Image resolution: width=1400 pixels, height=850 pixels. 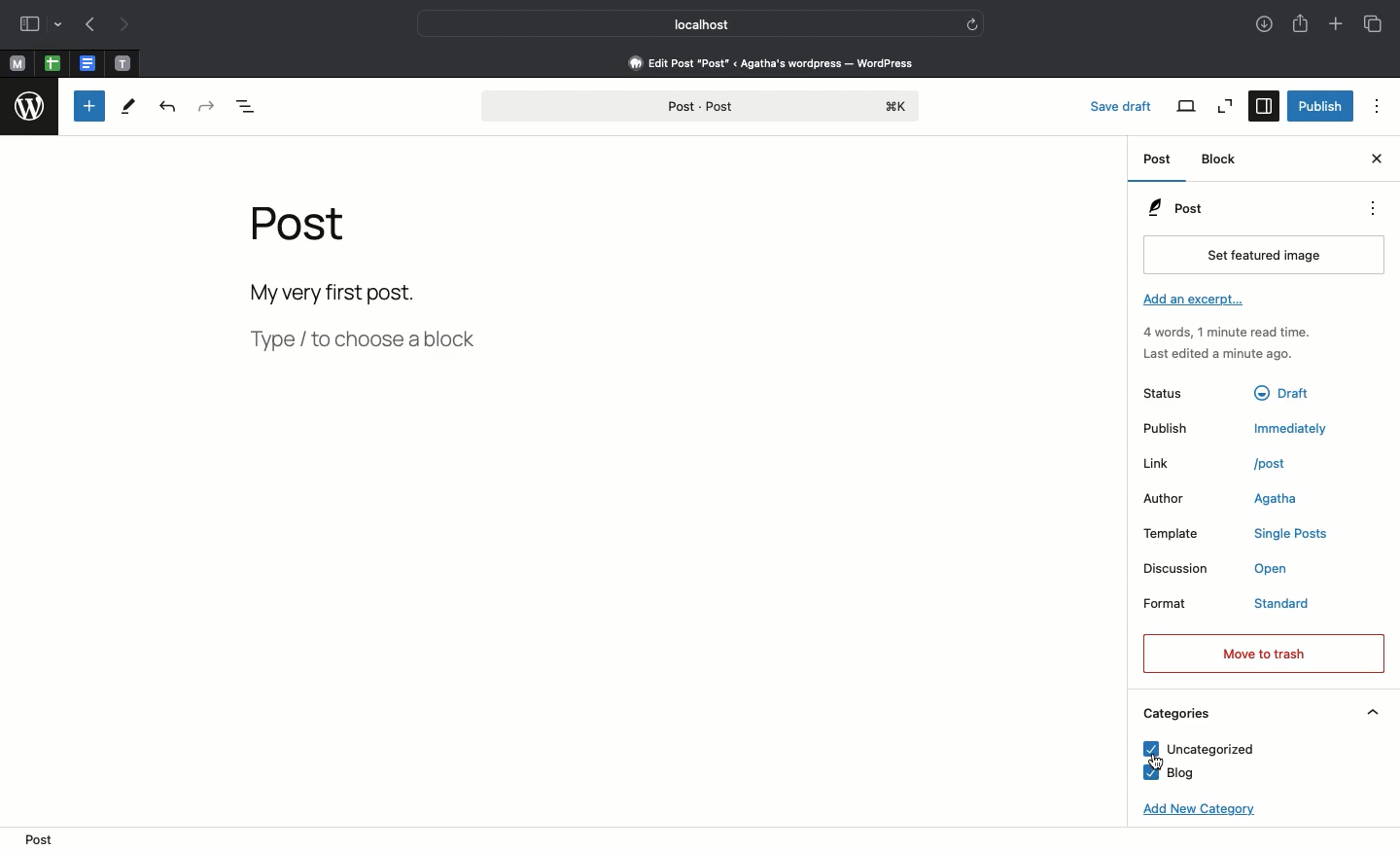 What do you see at coordinates (972, 23) in the screenshot?
I see `Refresh` at bounding box center [972, 23].